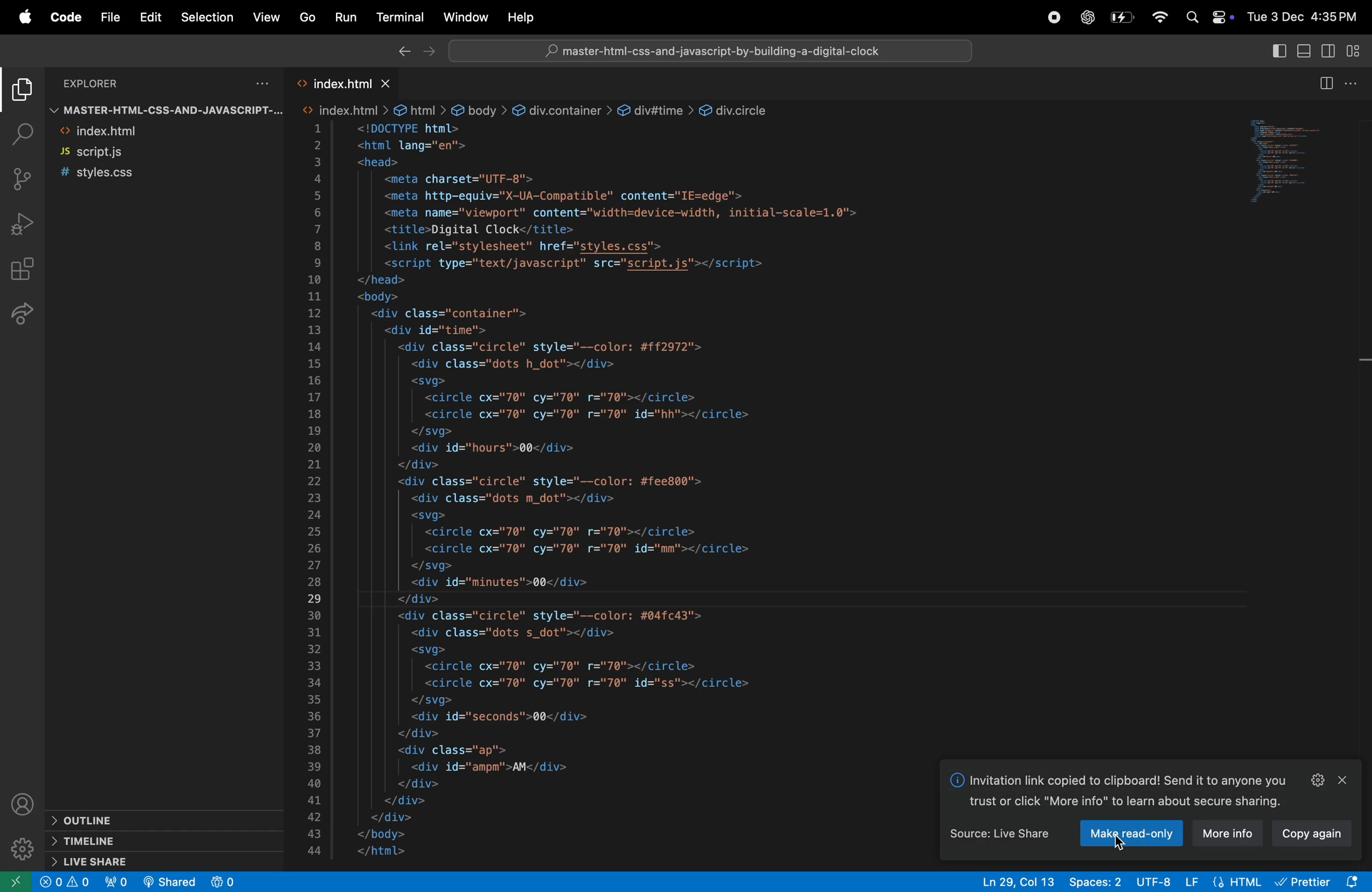 The width and height of the screenshot is (1372, 892). What do you see at coordinates (205, 17) in the screenshot?
I see `selection` at bounding box center [205, 17].